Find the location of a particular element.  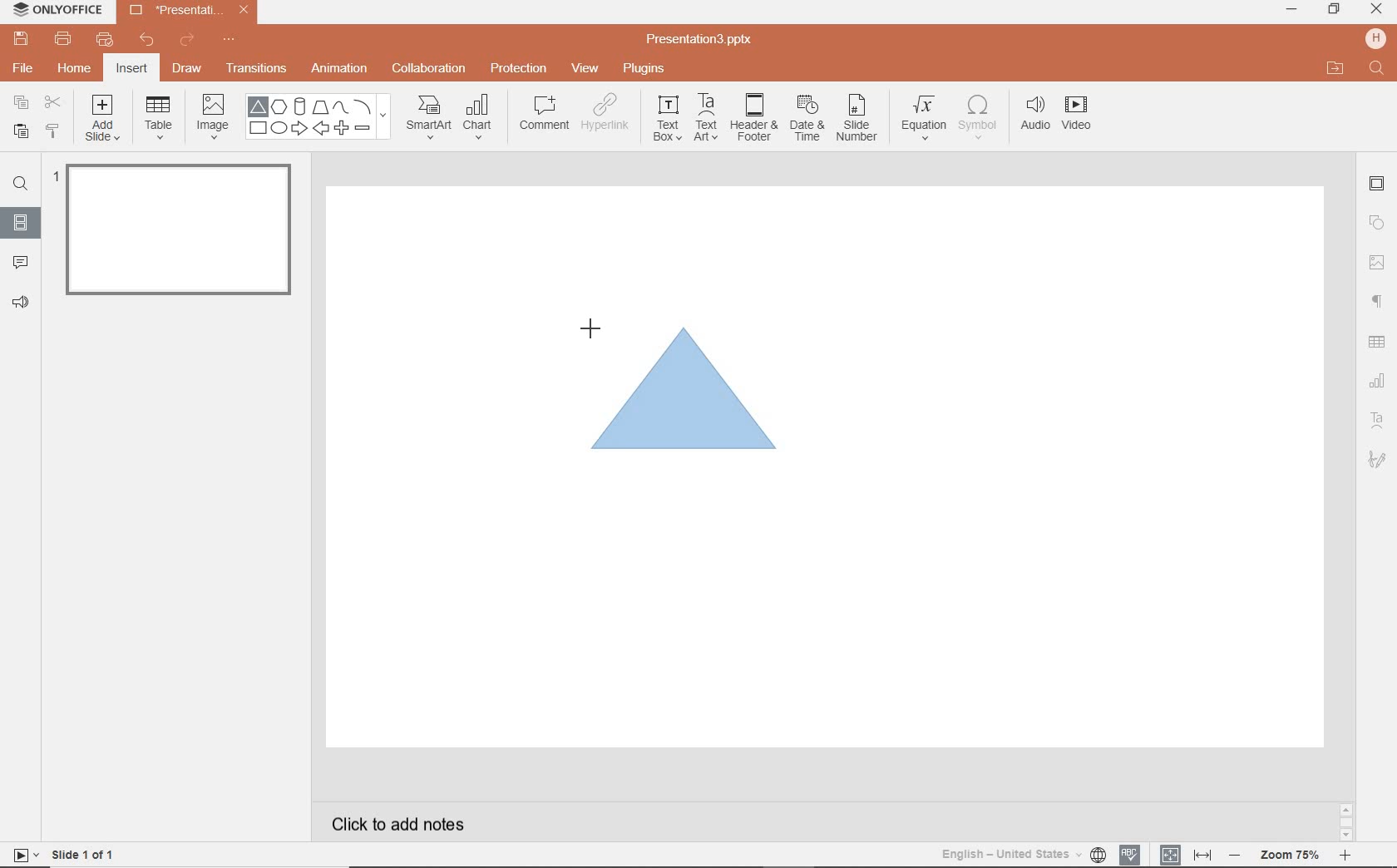

CUT is located at coordinates (54, 101).